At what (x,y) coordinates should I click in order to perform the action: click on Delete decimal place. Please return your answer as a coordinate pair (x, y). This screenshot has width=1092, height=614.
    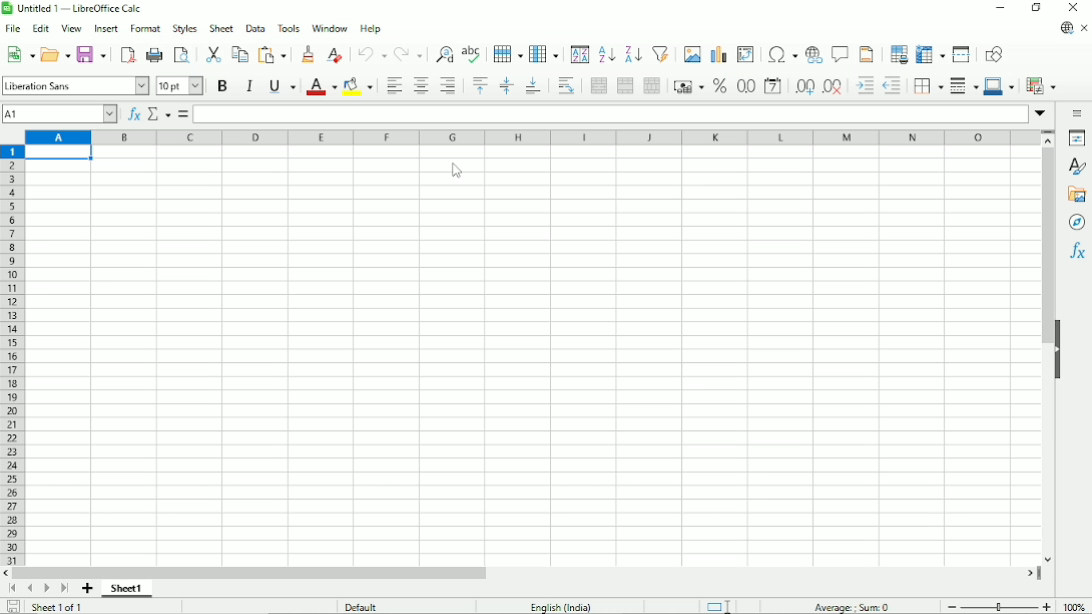
    Looking at the image, I should click on (833, 88).